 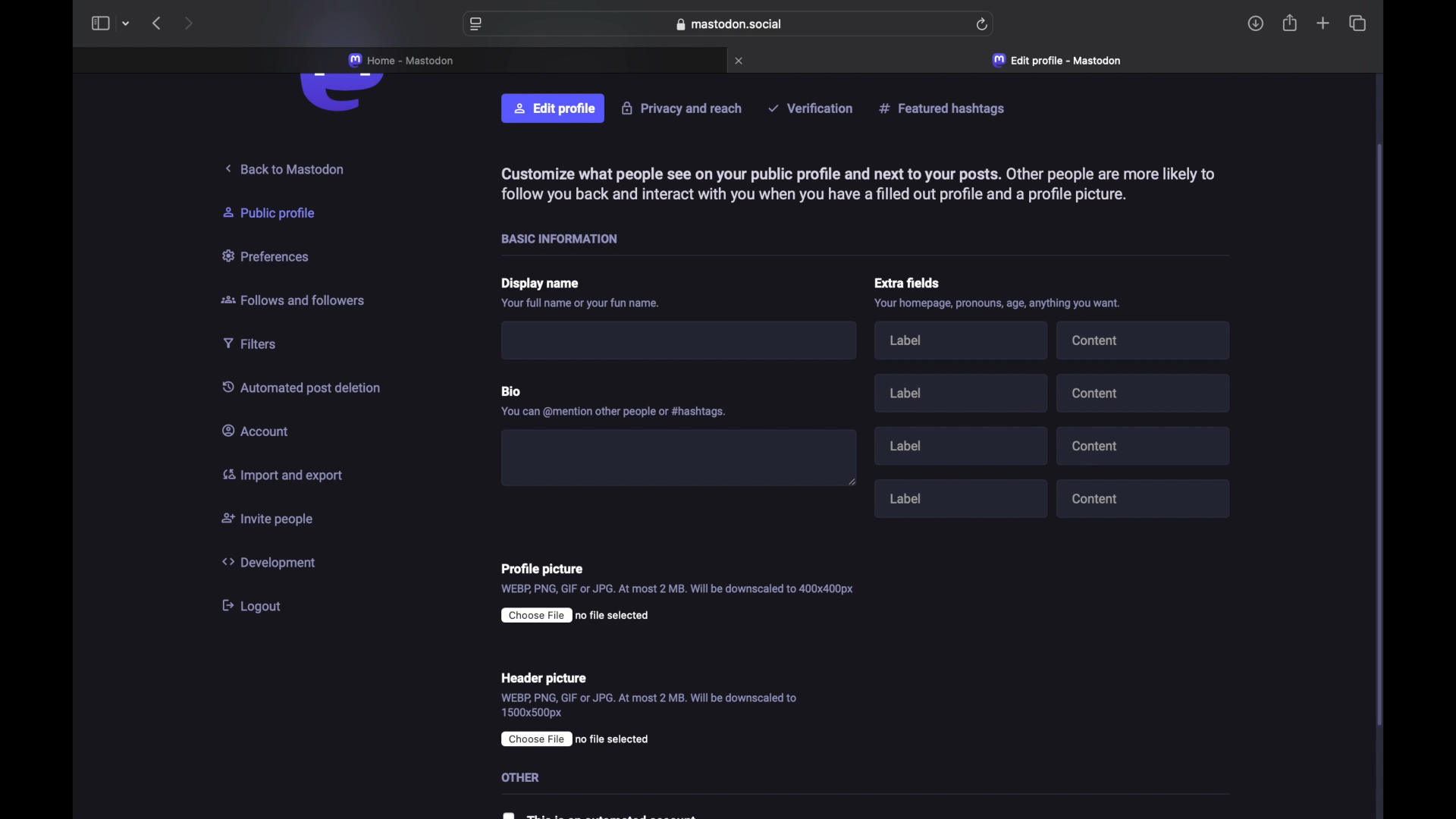 What do you see at coordinates (965, 447) in the screenshot?
I see `label` at bounding box center [965, 447].